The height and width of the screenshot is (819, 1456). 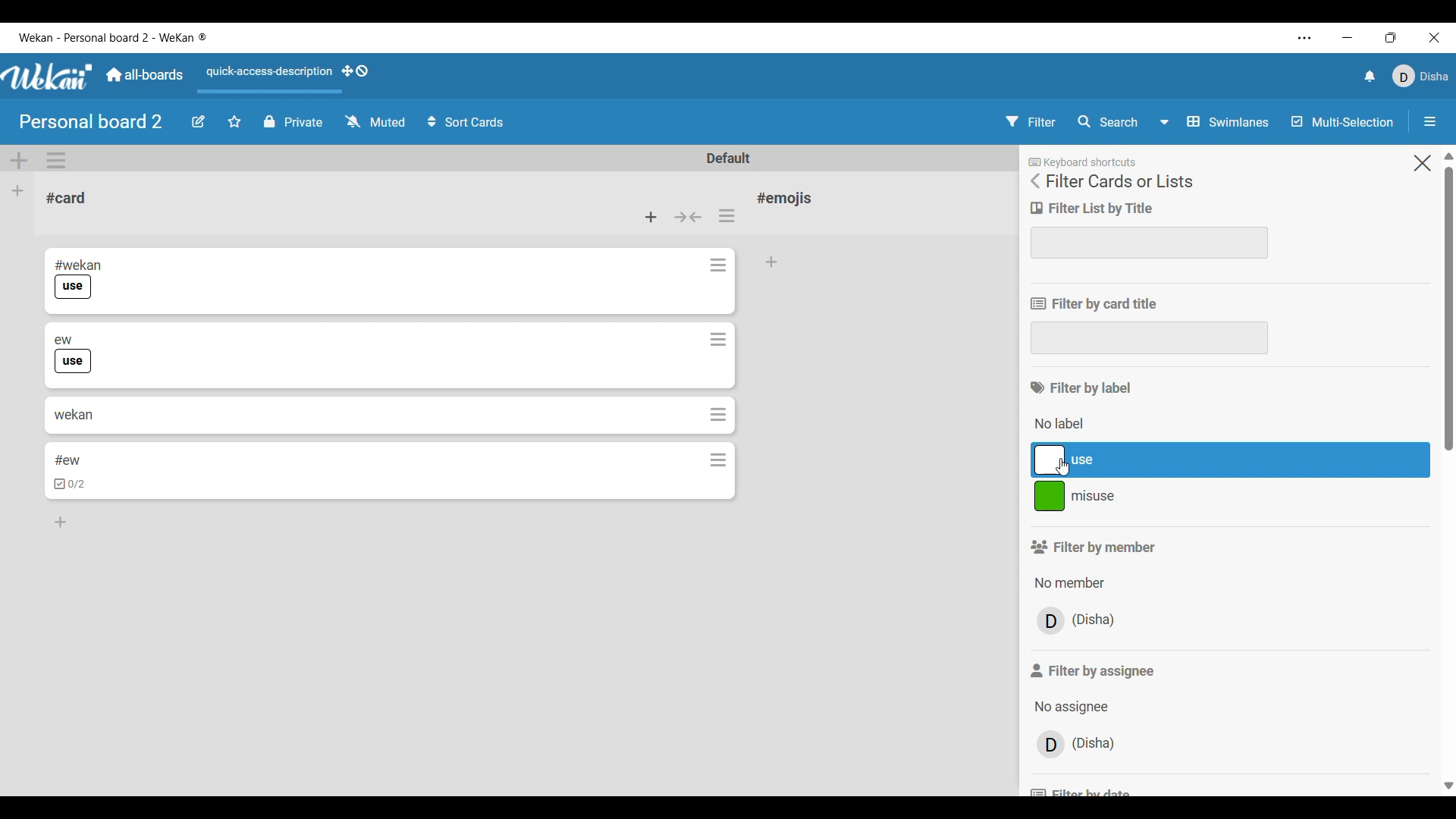 I want to click on Options under the above mentioned section, so click(x=1065, y=425).